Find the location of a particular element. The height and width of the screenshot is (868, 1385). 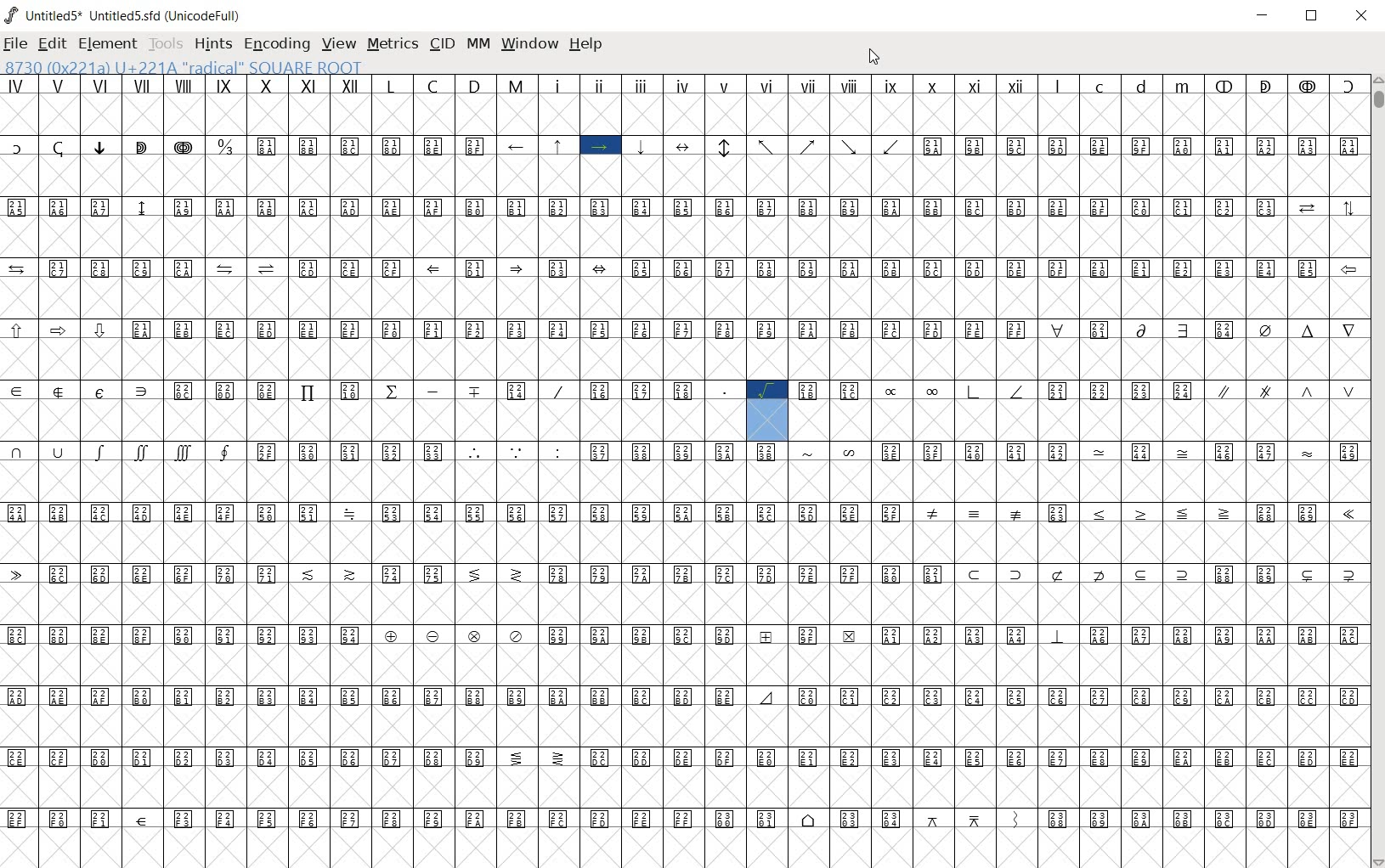

MM is located at coordinates (477, 43).